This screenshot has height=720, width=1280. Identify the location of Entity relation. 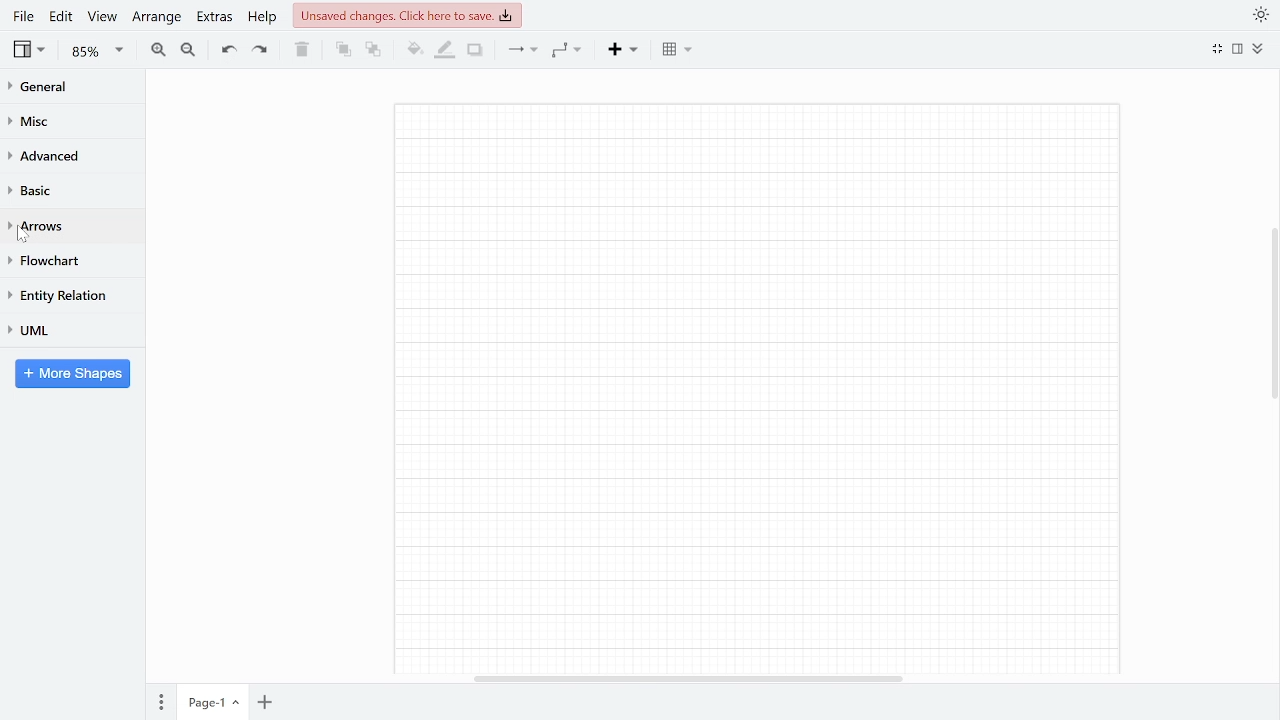
(58, 296).